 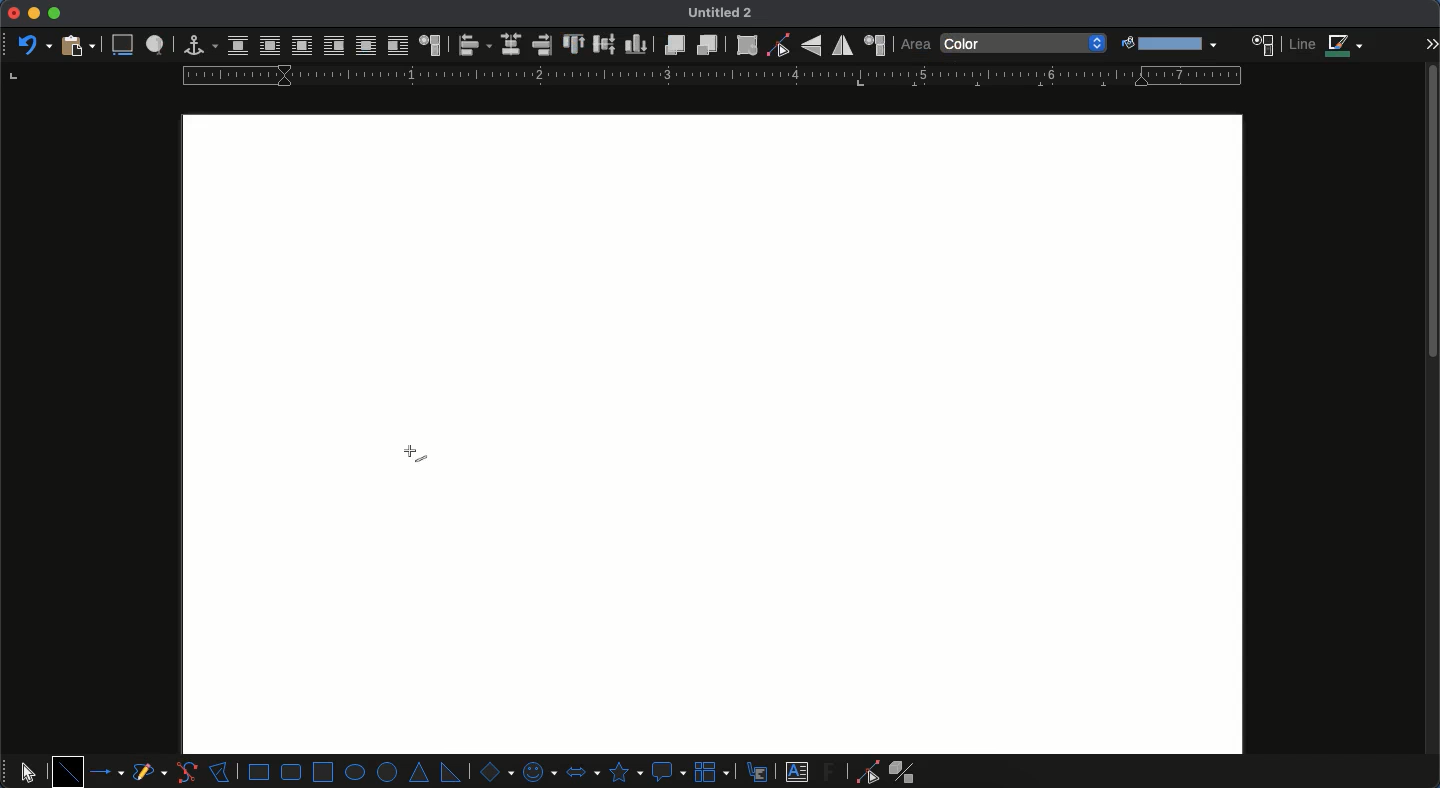 I want to click on area, so click(x=1263, y=43).